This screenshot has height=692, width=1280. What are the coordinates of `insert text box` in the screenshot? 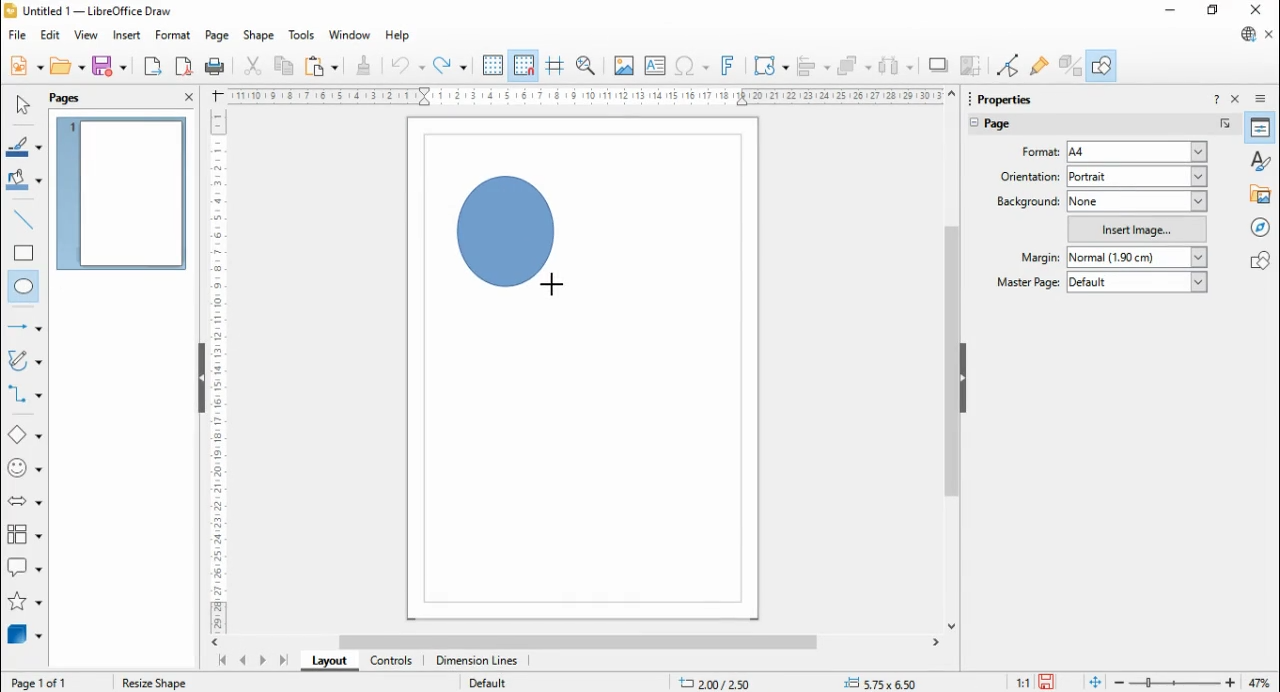 It's located at (654, 65).